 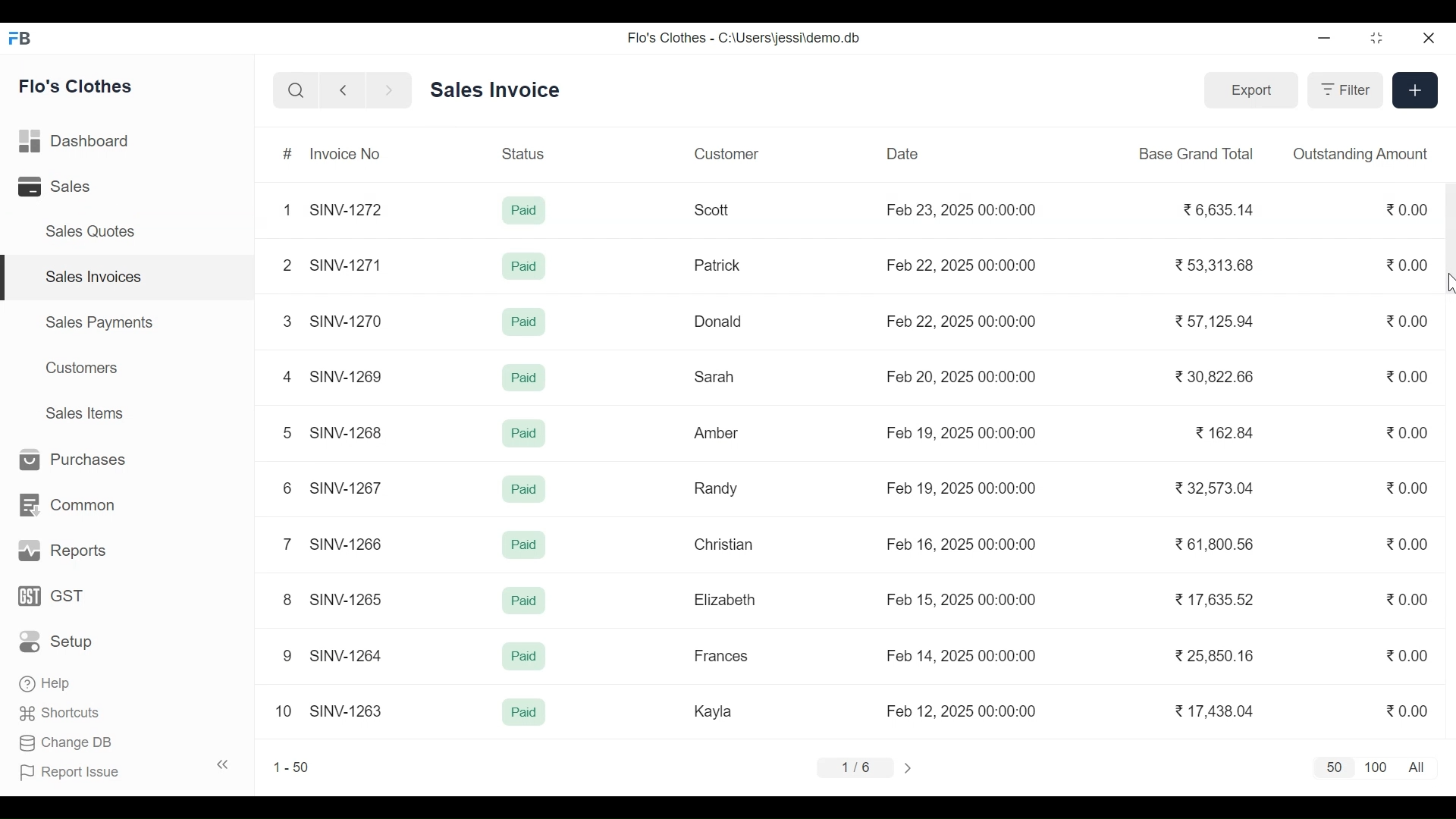 I want to click on Christian, so click(x=725, y=544).